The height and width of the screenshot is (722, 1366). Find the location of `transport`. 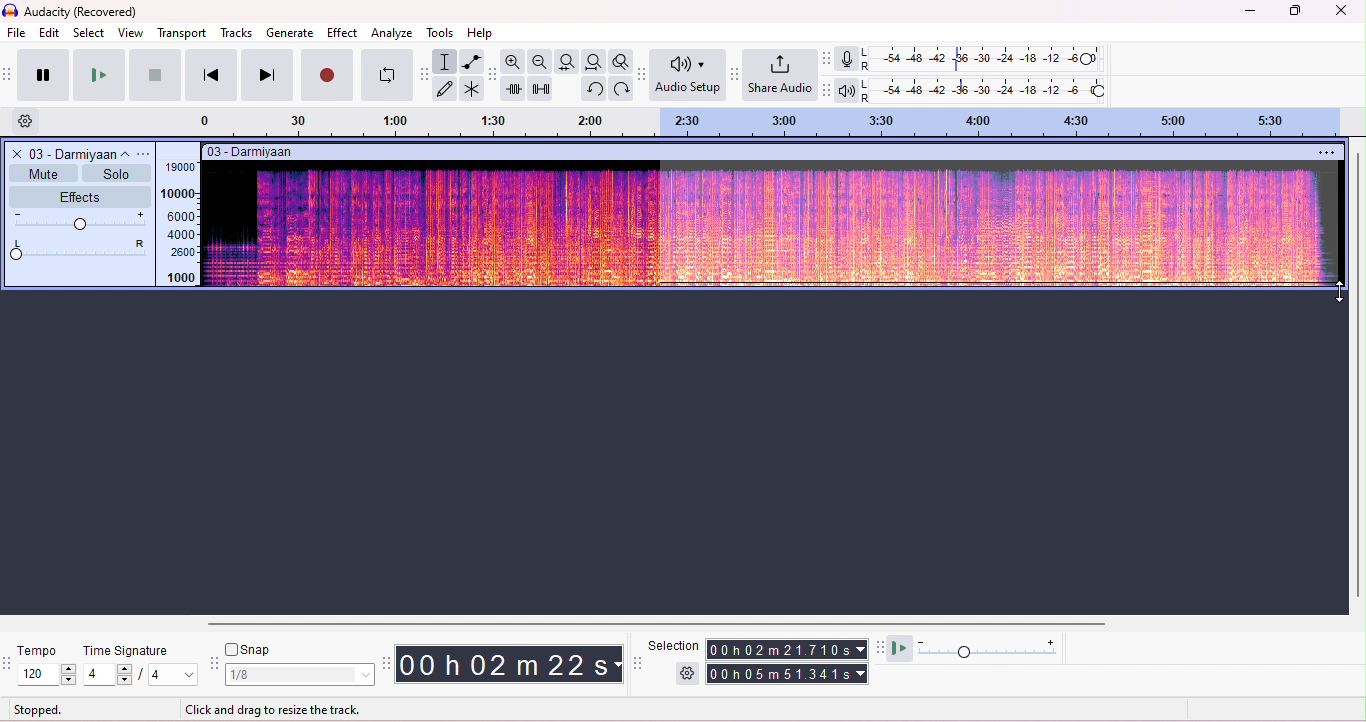

transport is located at coordinates (182, 33).